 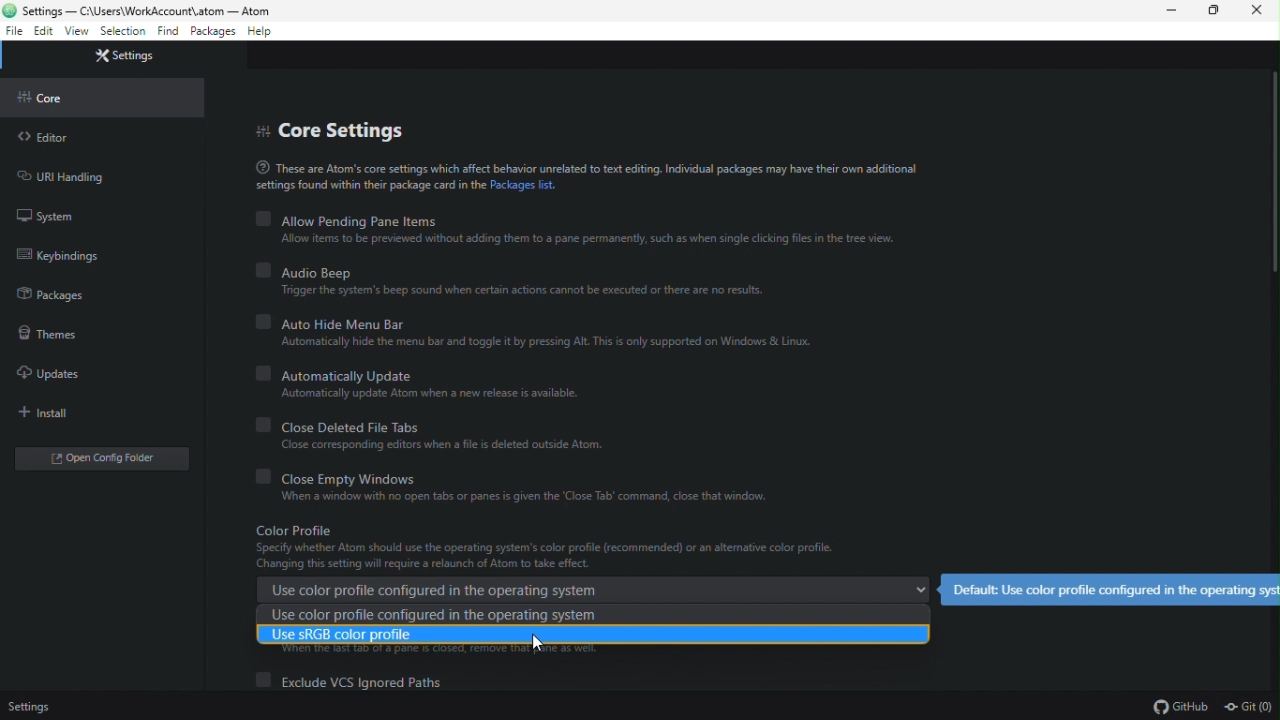 What do you see at coordinates (123, 33) in the screenshot?
I see `selection` at bounding box center [123, 33].